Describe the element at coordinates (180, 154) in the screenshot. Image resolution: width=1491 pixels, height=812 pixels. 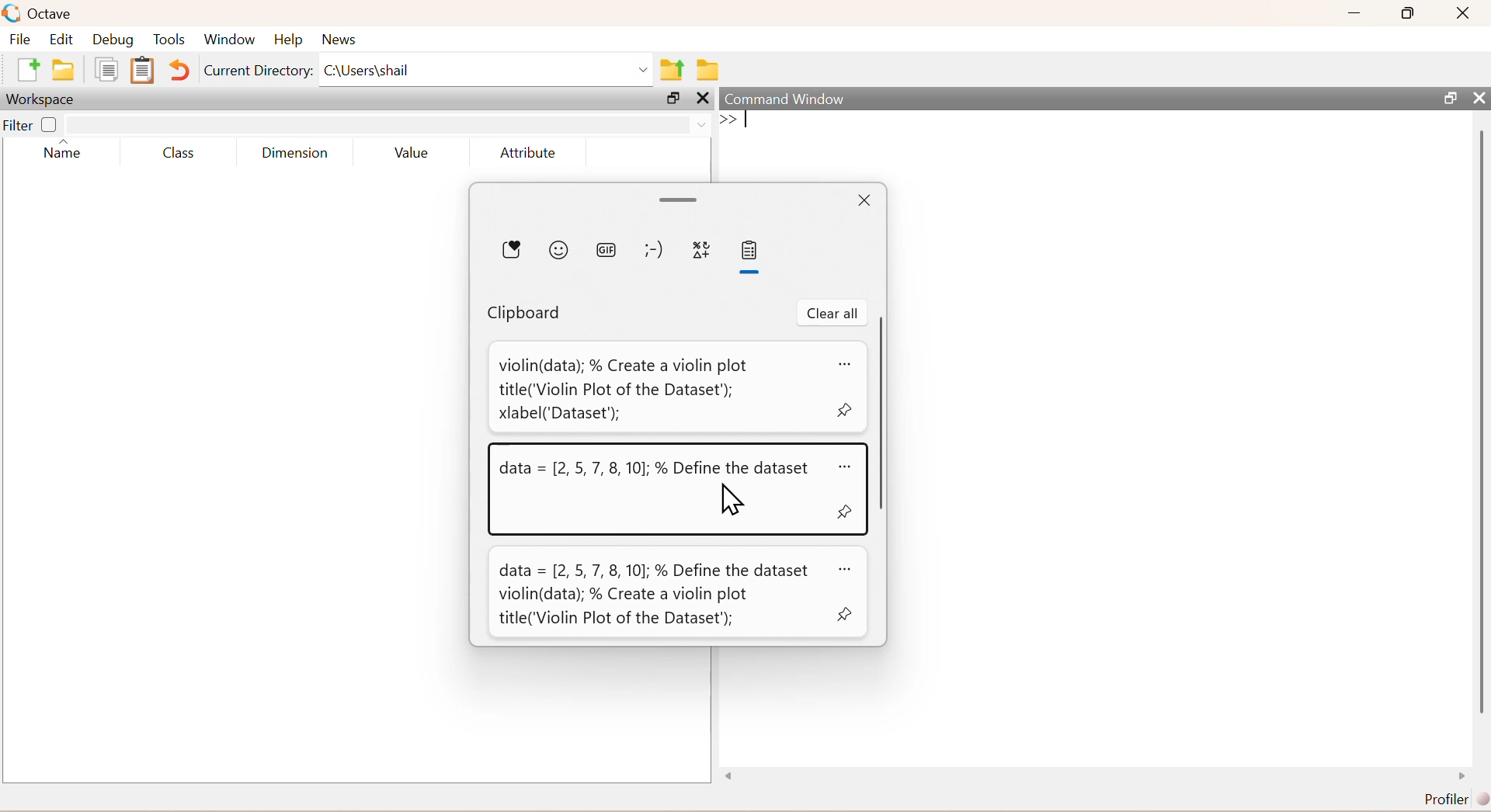
I see `class` at that location.